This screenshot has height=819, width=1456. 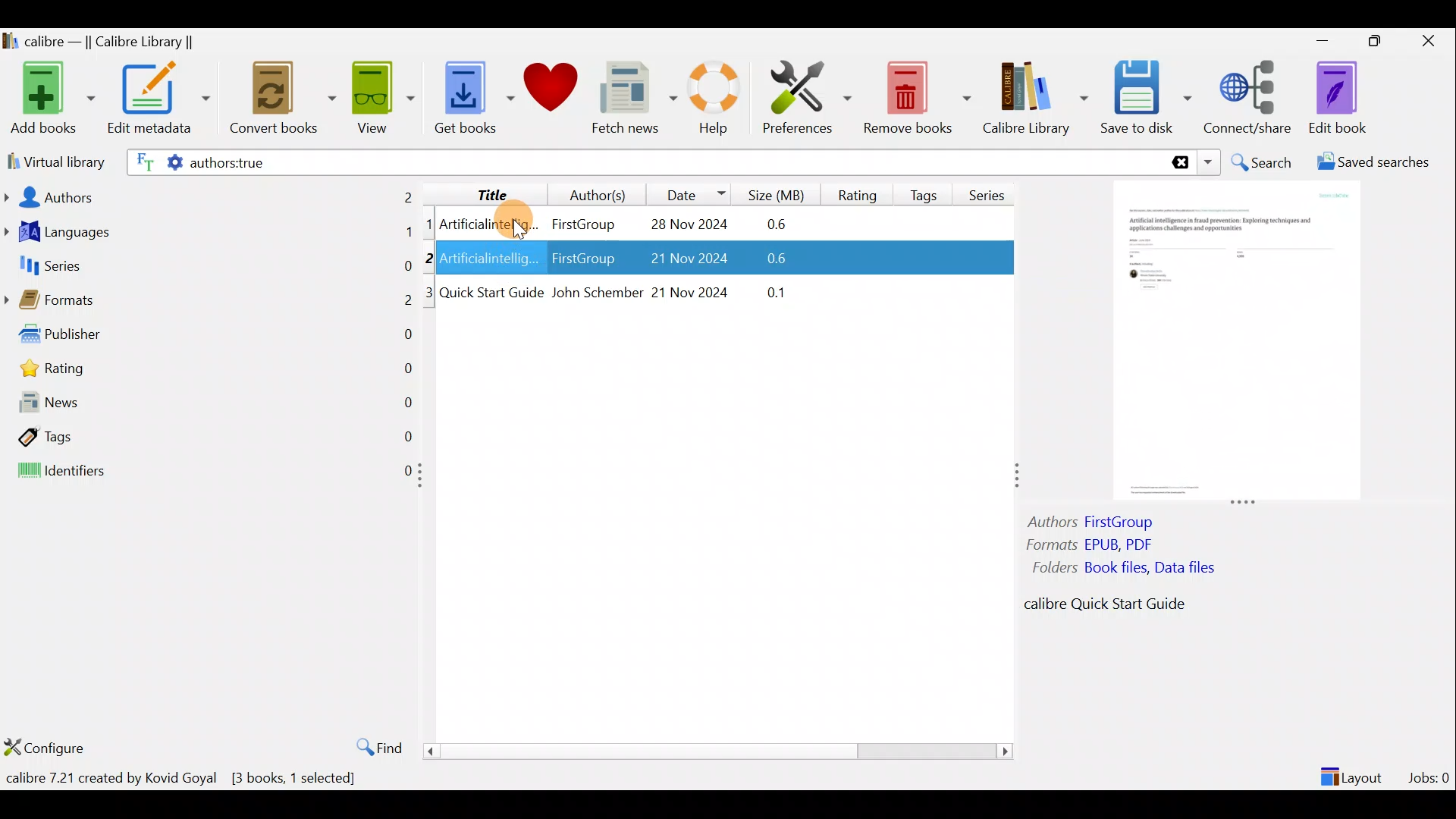 I want to click on Configure, so click(x=49, y=747).